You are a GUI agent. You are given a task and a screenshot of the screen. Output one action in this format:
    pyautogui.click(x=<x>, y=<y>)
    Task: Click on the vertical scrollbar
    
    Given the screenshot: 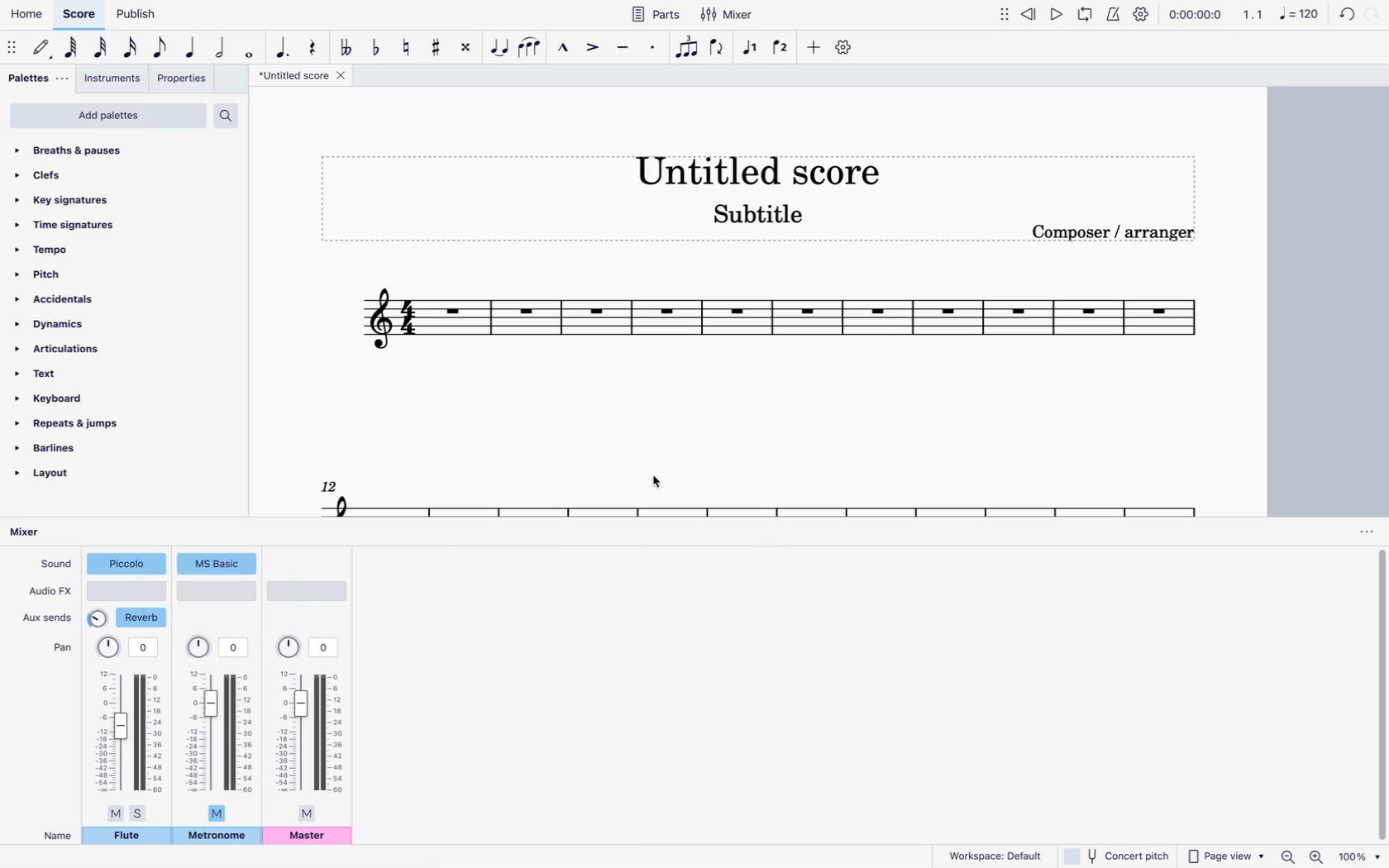 What is the action you would take?
    pyautogui.click(x=1381, y=695)
    